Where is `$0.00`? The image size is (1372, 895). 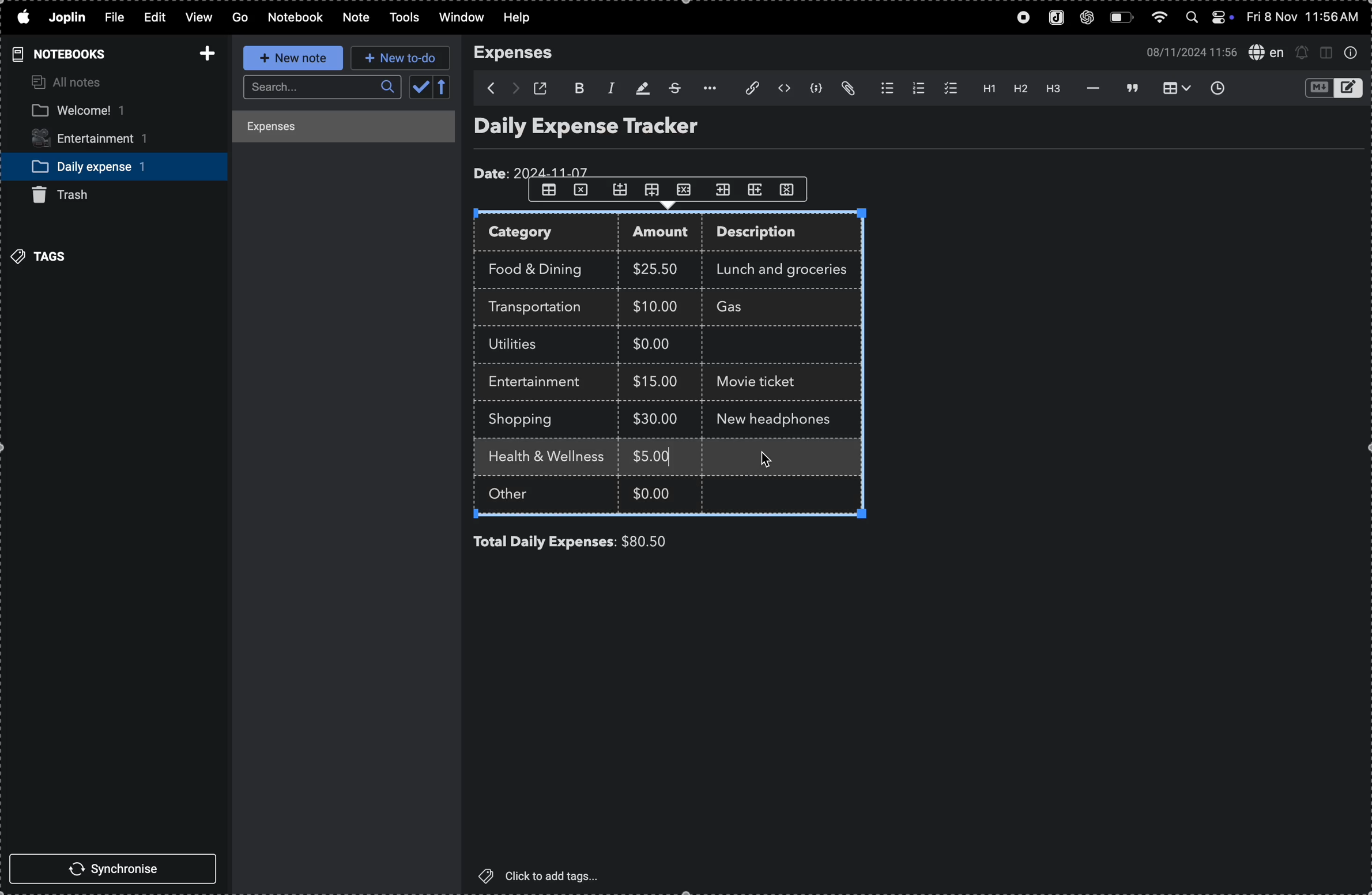 $0.00 is located at coordinates (659, 346).